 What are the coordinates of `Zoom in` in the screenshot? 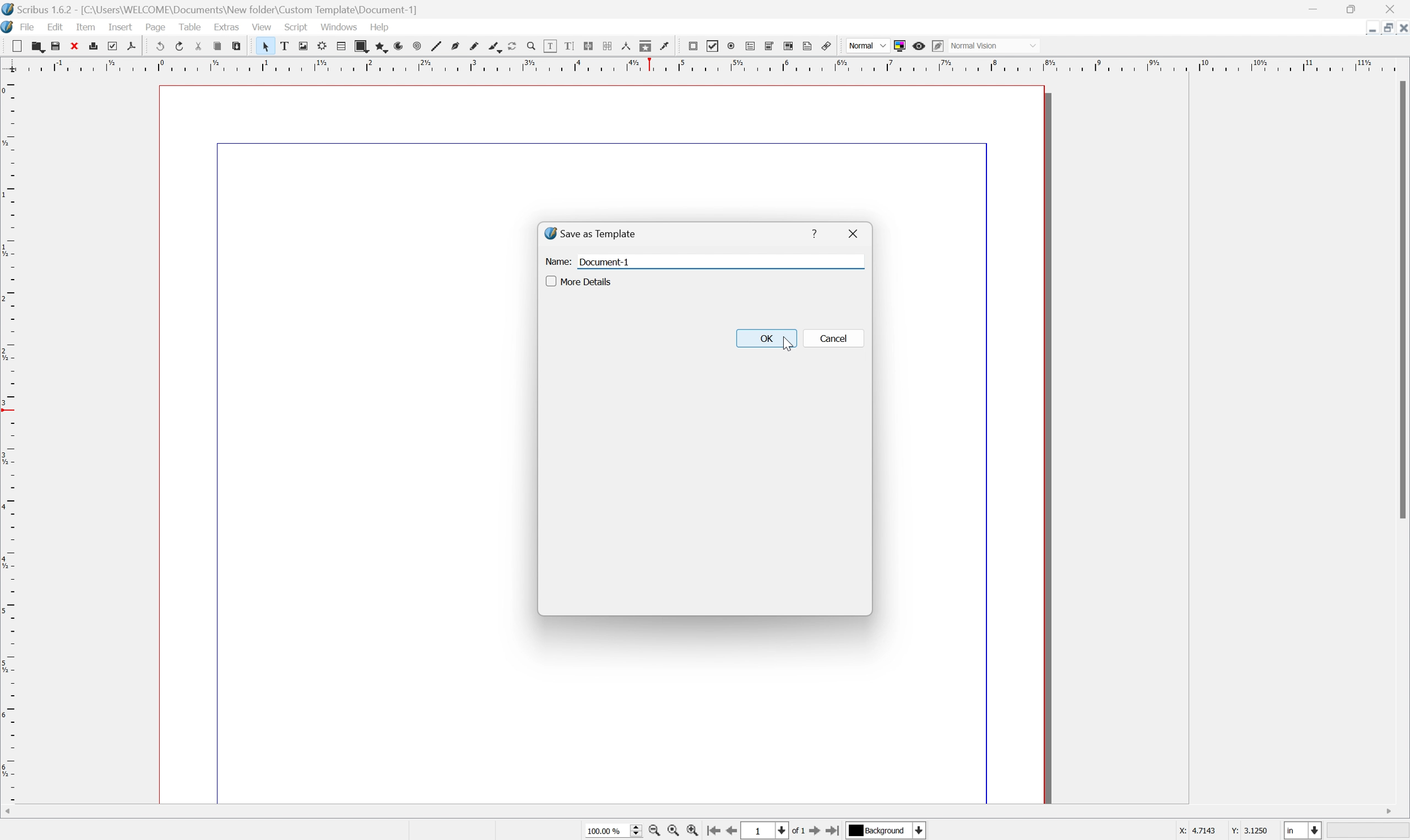 It's located at (694, 831).